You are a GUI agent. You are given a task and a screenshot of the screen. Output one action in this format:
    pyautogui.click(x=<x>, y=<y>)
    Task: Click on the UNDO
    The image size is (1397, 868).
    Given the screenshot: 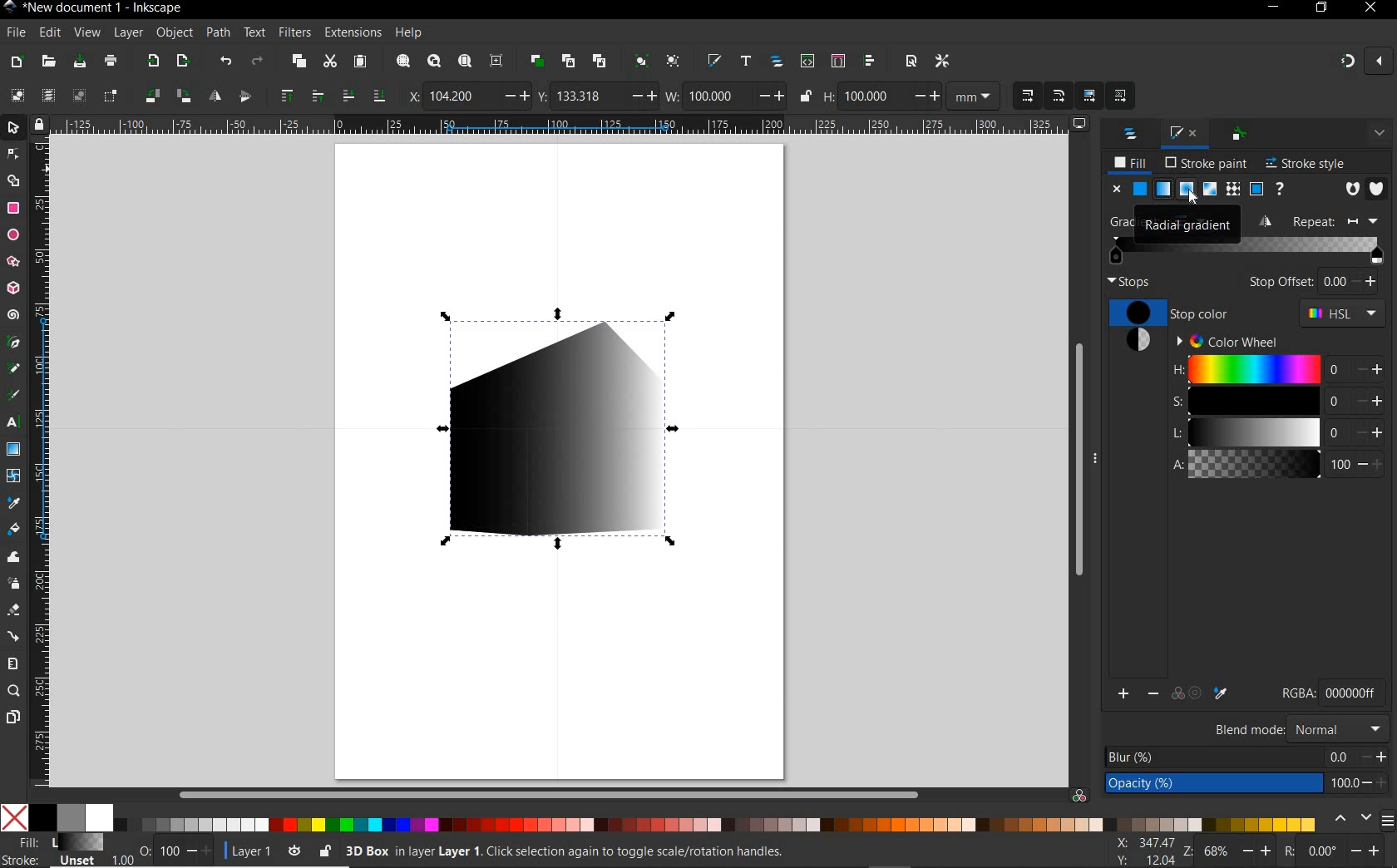 What is the action you would take?
    pyautogui.click(x=226, y=62)
    